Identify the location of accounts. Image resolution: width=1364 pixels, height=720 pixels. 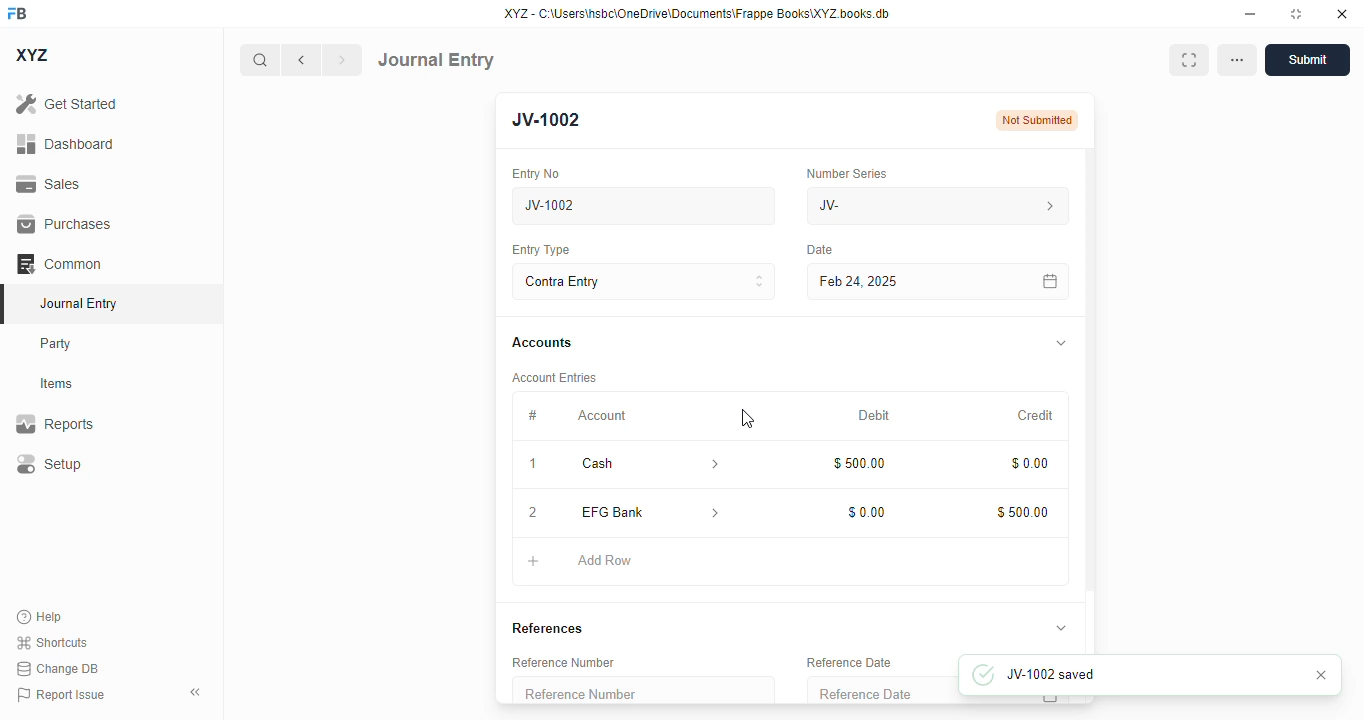
(542, 344).